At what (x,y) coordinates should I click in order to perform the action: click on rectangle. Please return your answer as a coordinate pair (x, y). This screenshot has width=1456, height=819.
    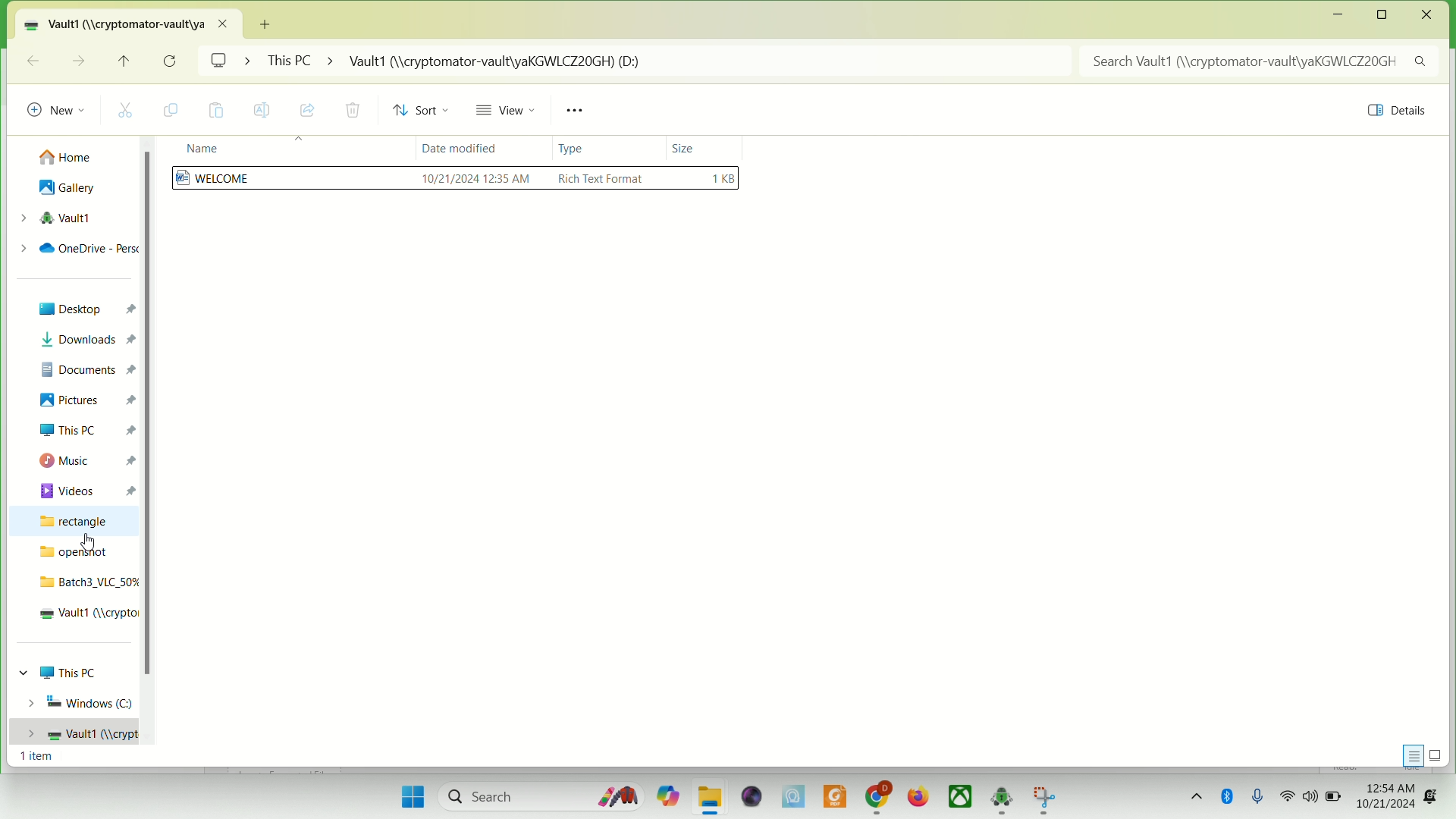
    Looking at the image, I should click on (80, 521).